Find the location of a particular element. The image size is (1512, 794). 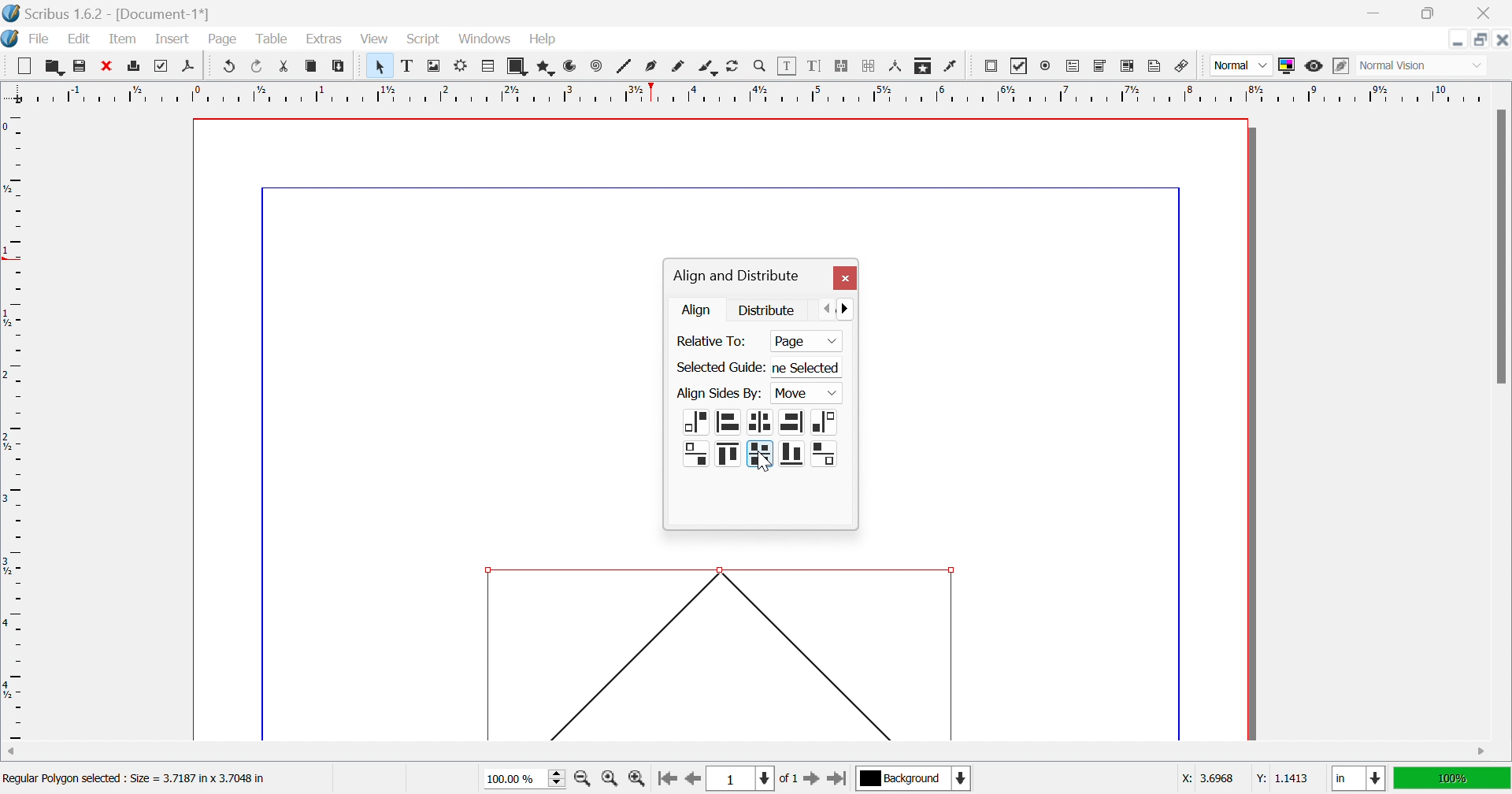

Zoom in or out is located at coordinates (760, 65).